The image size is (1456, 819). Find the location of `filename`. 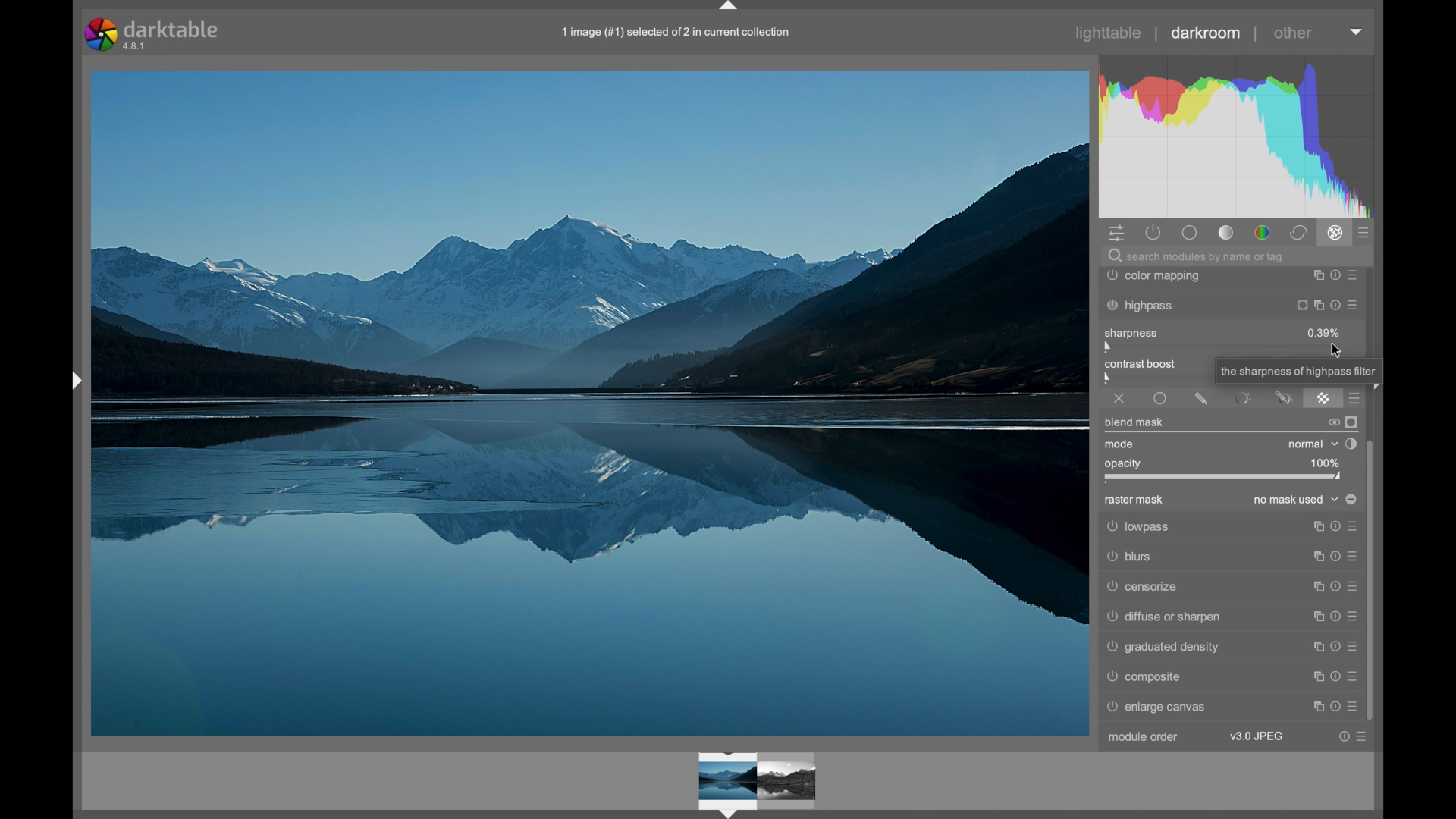

filename is located at coordinates (677, 33).